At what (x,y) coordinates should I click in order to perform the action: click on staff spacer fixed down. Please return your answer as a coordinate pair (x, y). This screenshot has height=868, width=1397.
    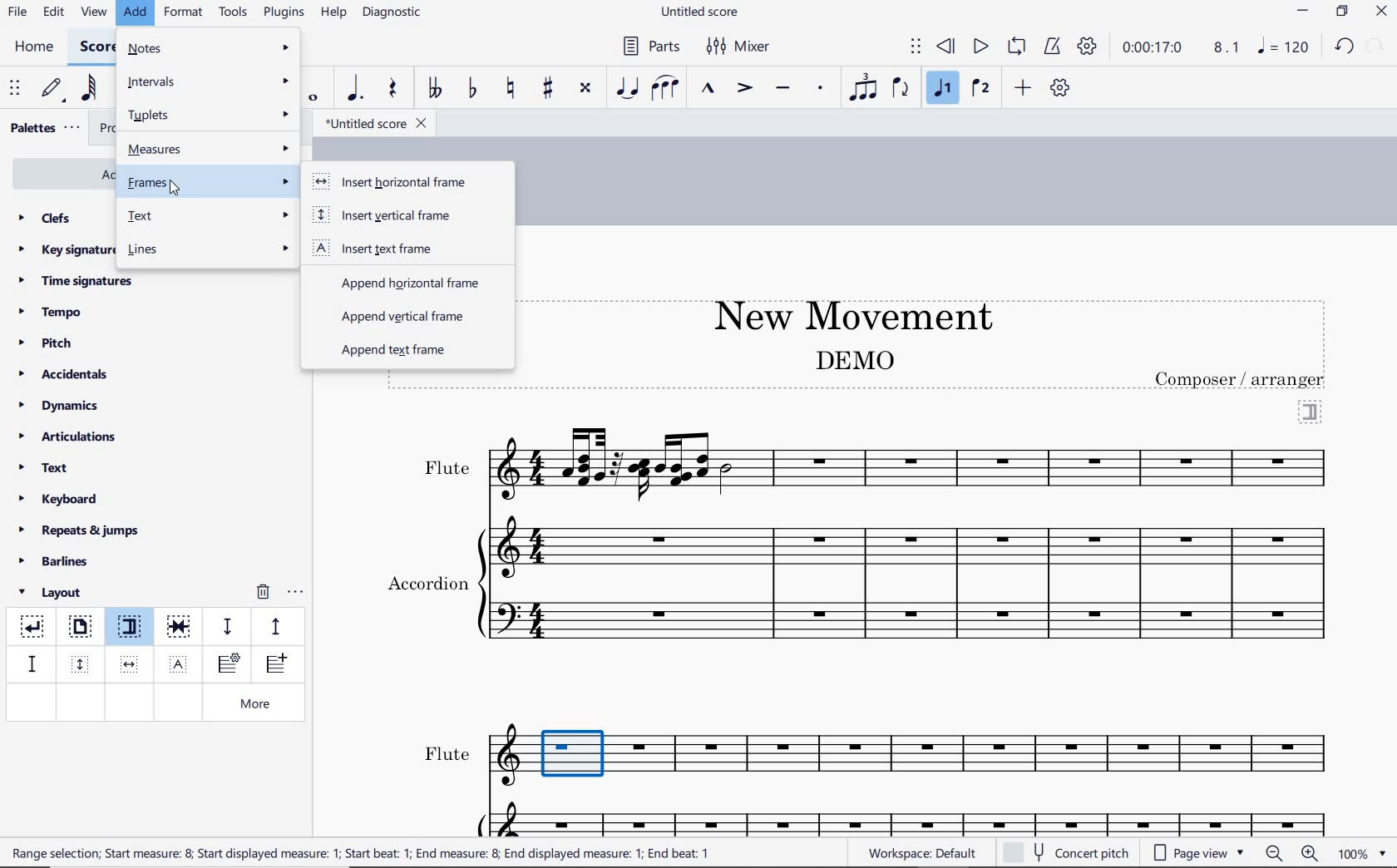
    Looking at the image, I should click on (30, 663).